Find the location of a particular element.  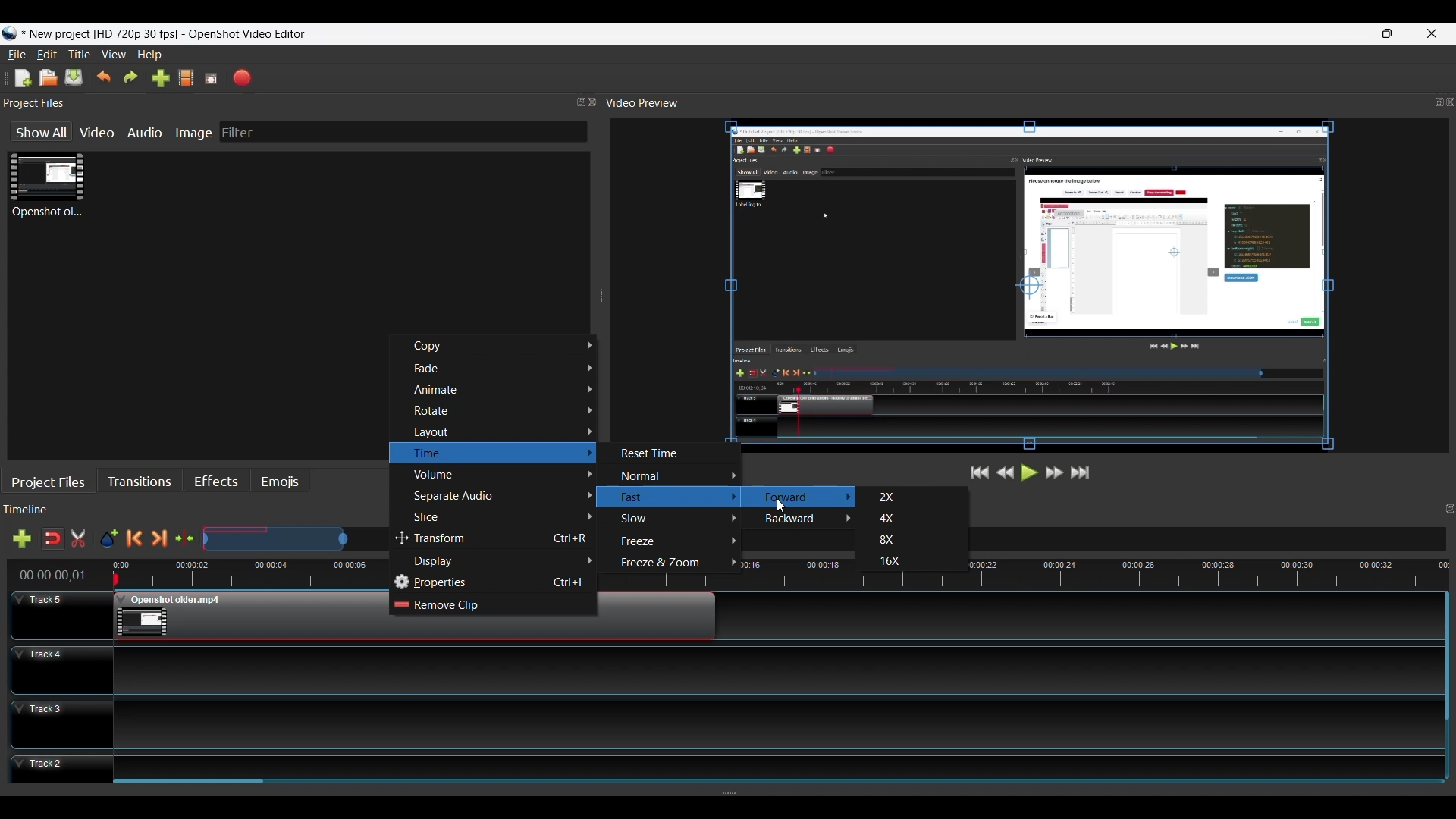

Project Name is located at coordinates (102, 35).